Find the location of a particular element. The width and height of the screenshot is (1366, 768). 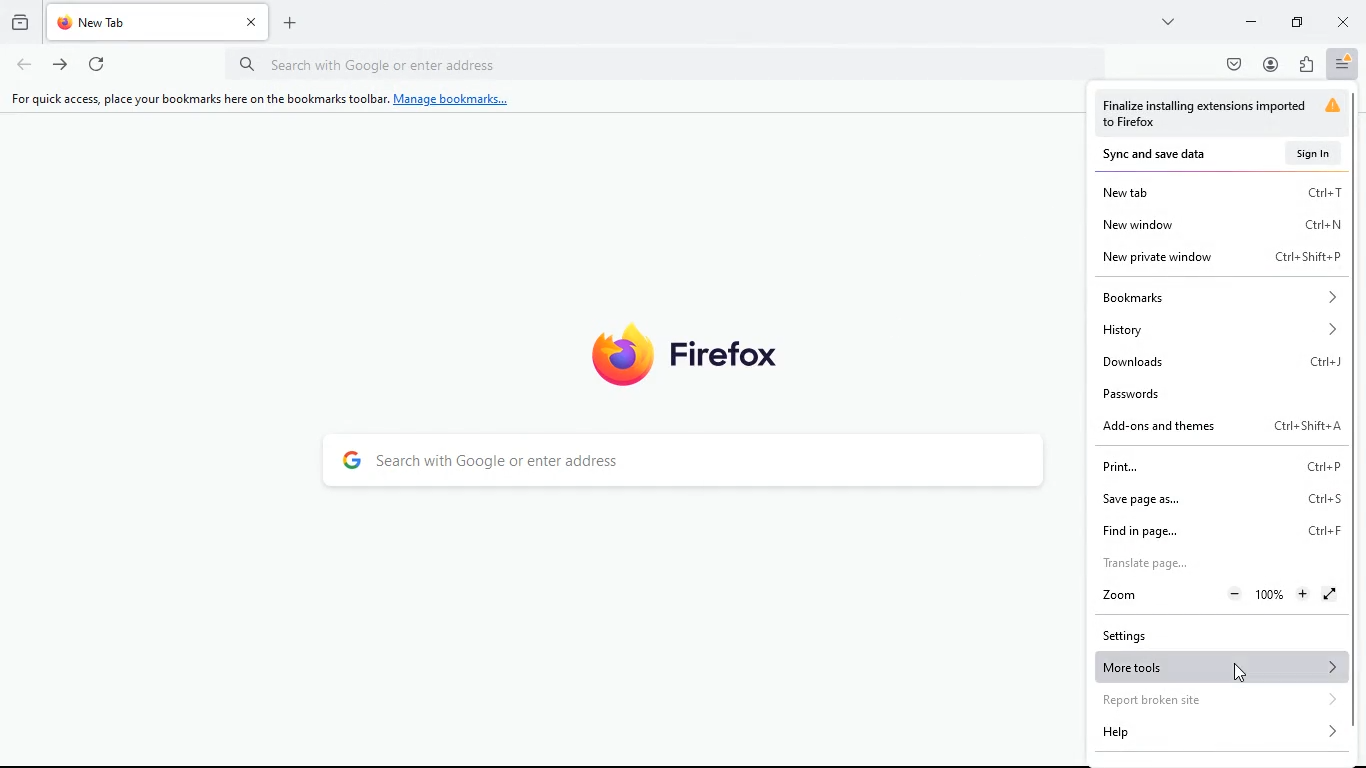

add tab is located at coordinates (291, 25).